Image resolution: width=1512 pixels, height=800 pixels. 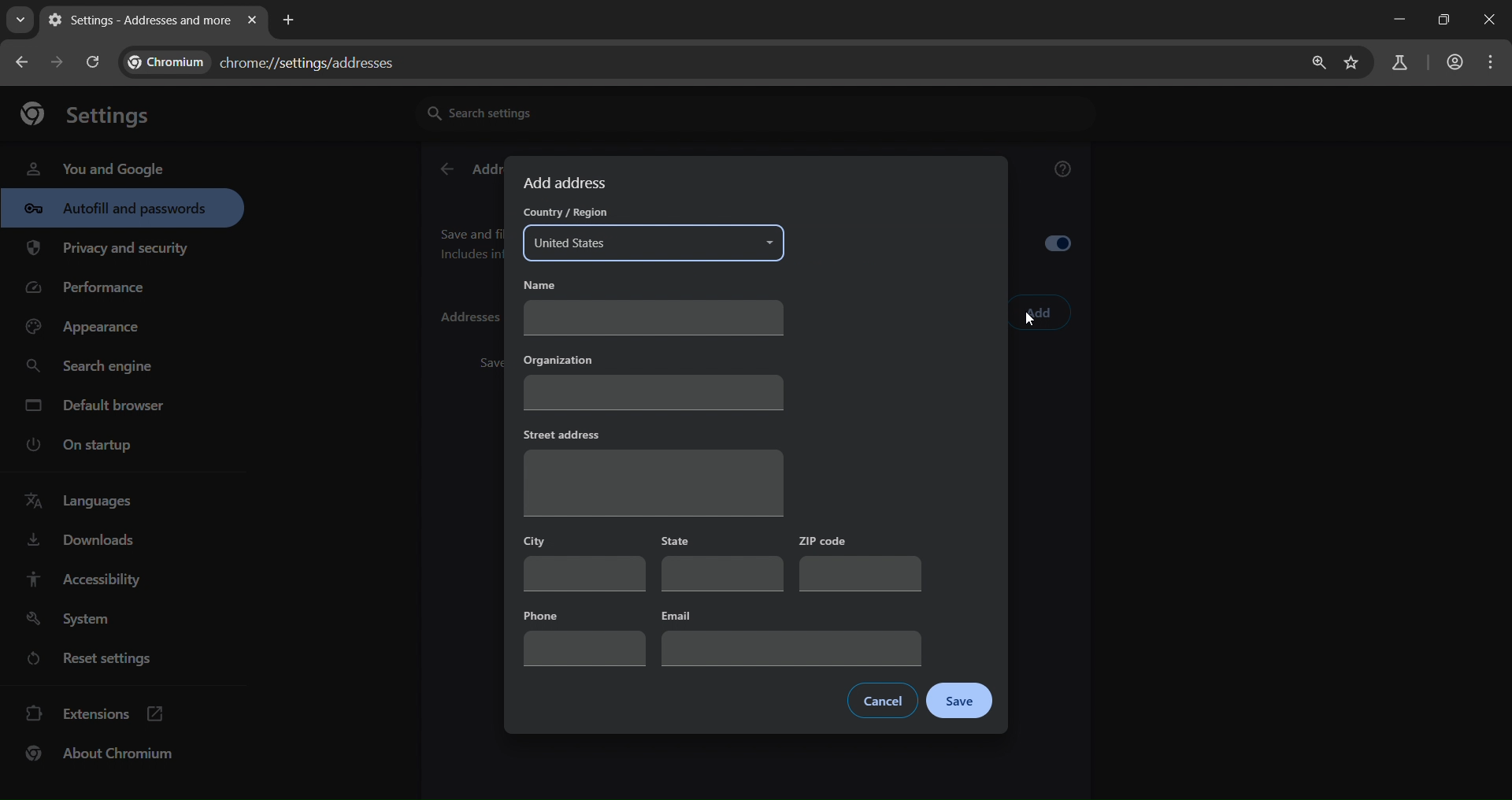 I want to click on appearance, so click(x=88, y=328).